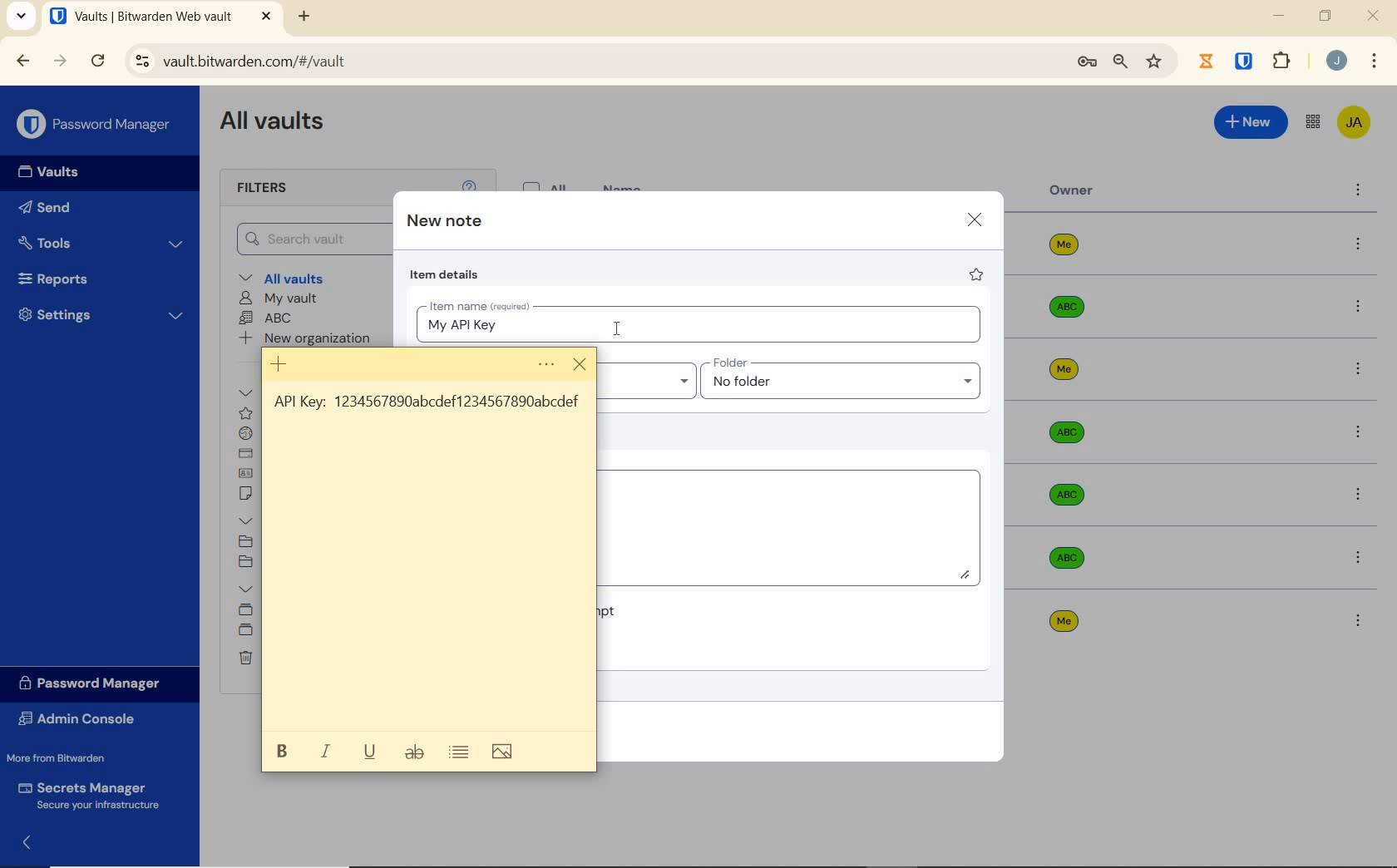 The width and height of the screenshot is (1397, 868). What do you see at coordinates (461, 751) in the screenshot?
I see `toggle bullets` at bounding box center [461, 751].